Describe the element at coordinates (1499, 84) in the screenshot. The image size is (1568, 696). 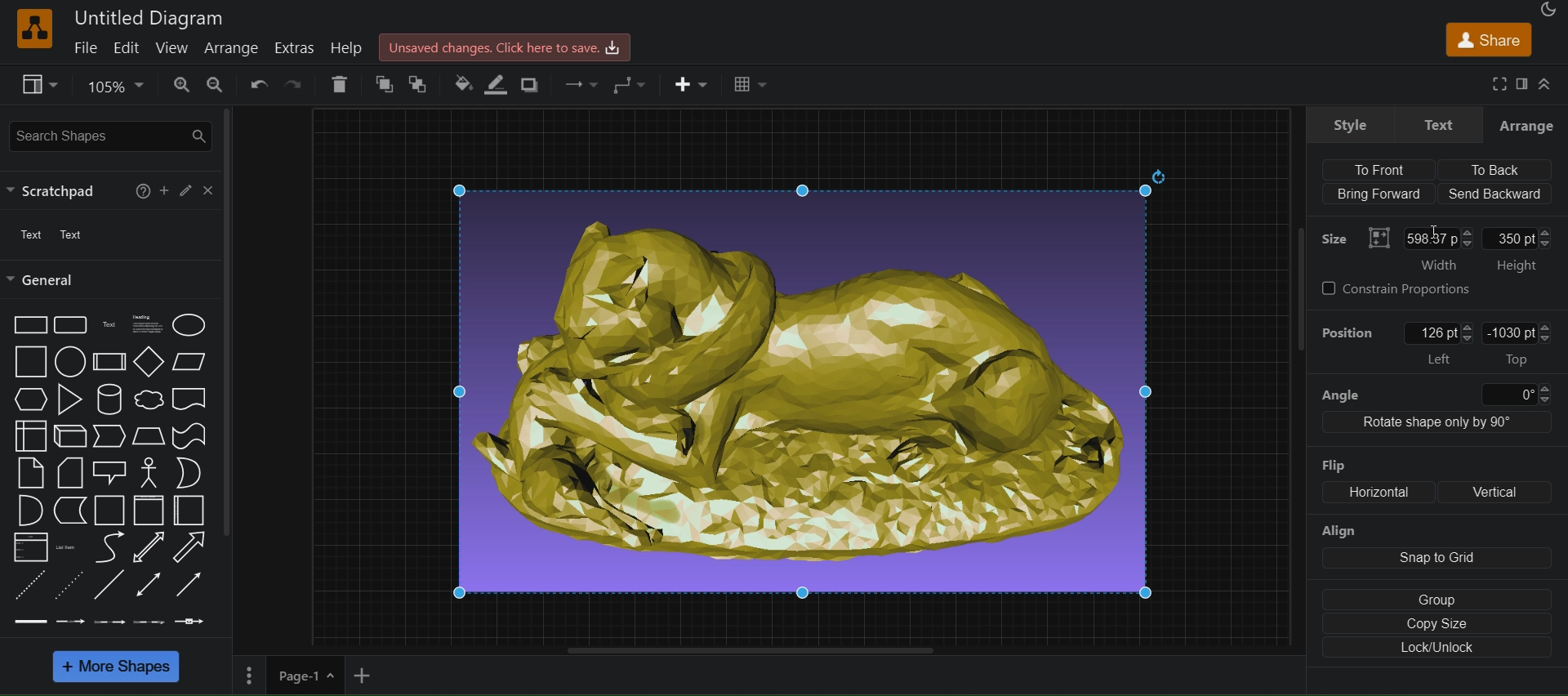
I see `fullscreen` at that location.